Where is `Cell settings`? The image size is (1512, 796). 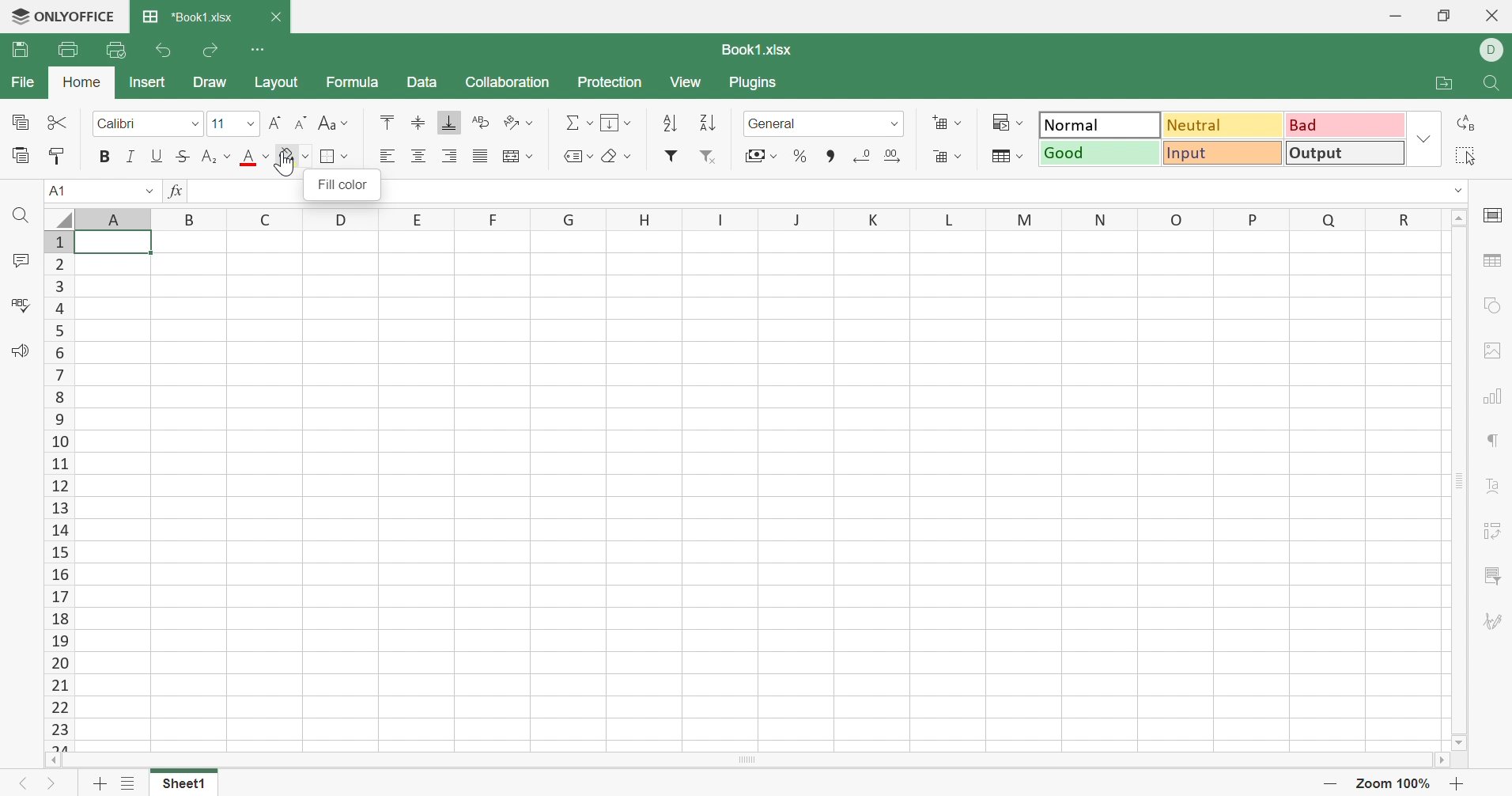
Cell settings is located at coordinates (1491, 214).